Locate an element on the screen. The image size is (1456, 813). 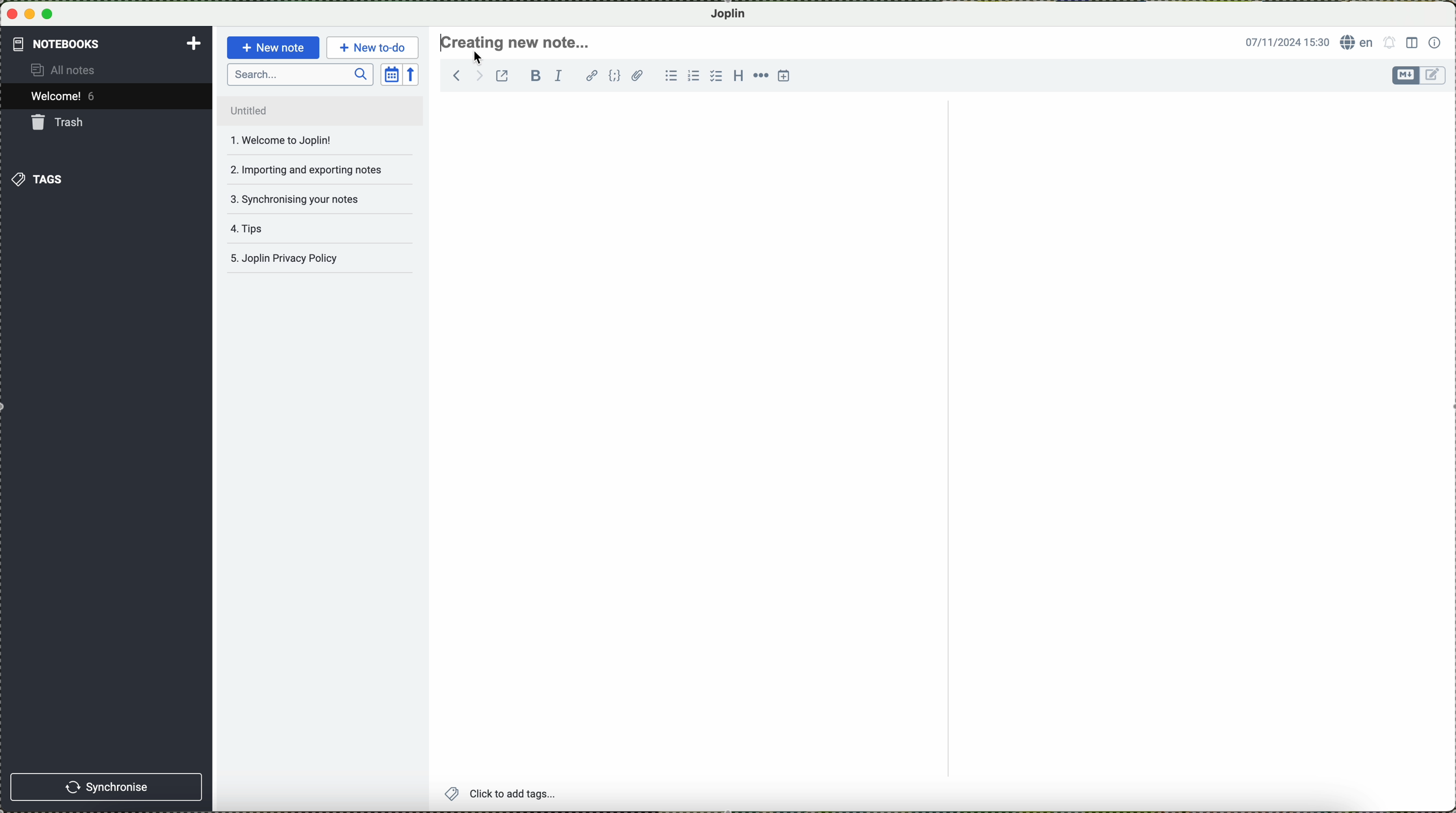
importing and exporting notes is located at coordinates (306, 168).